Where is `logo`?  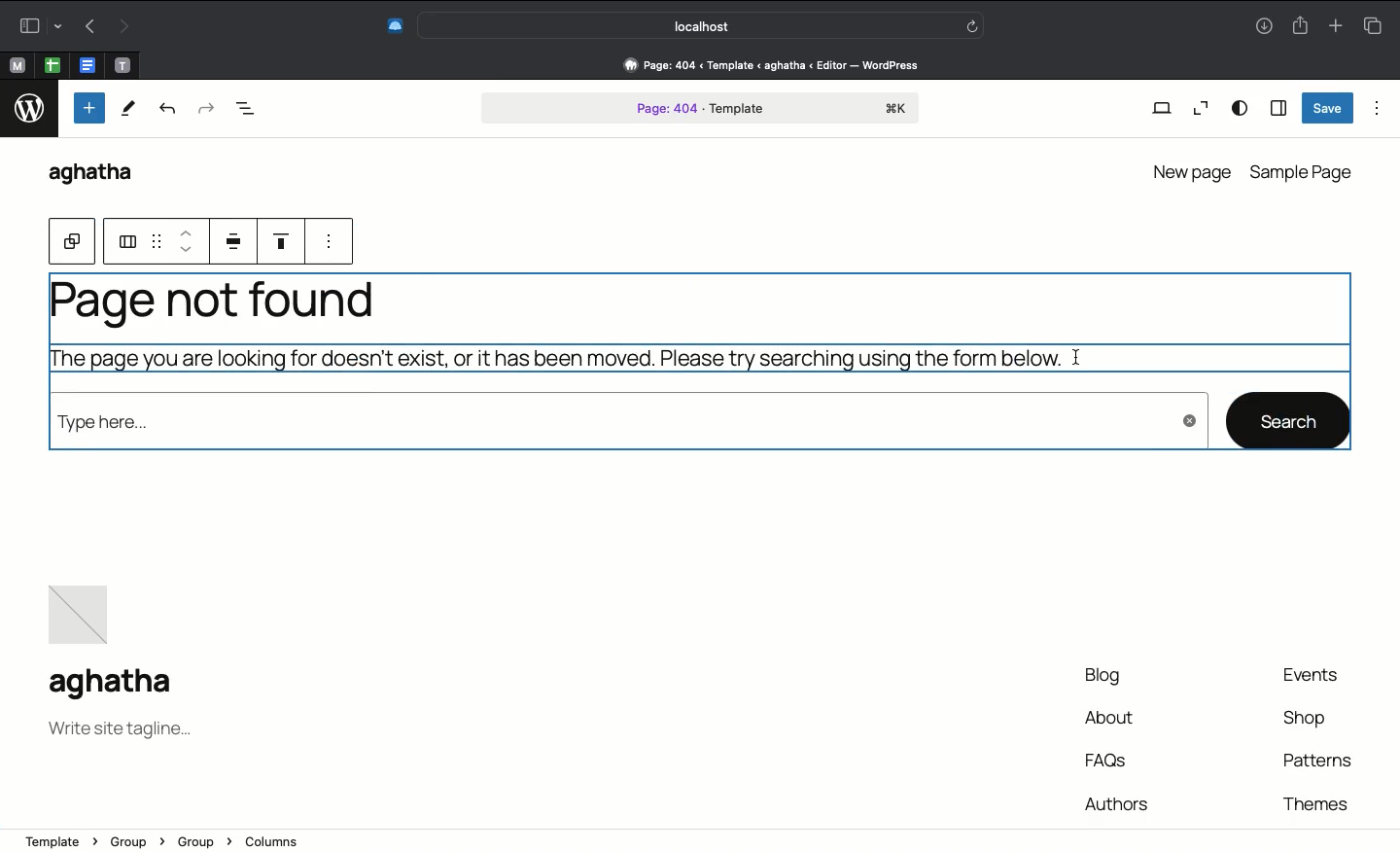
logo is located at coordinates (28, 112).